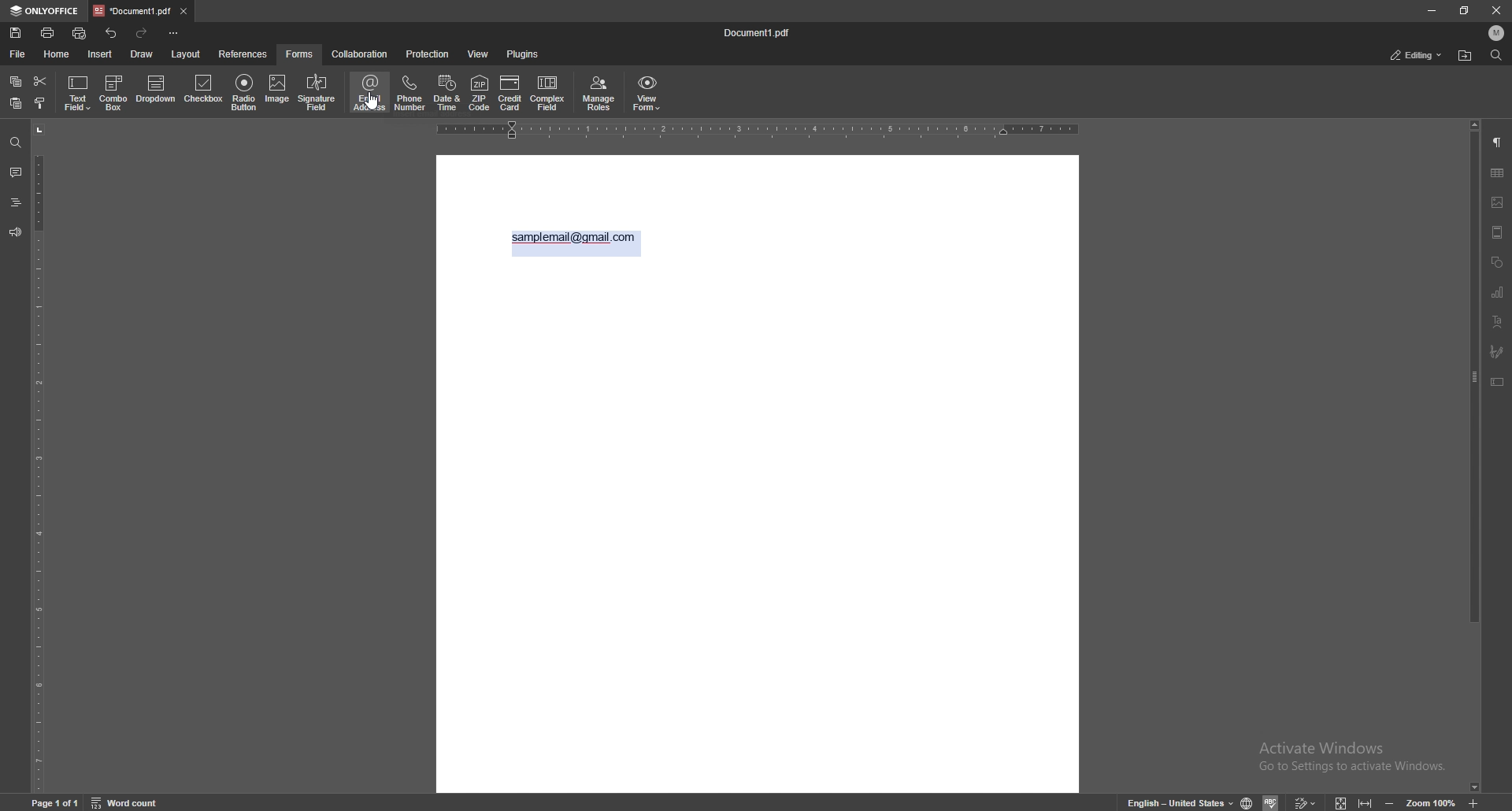  Describe the element at coordinates (1432, 10) in the screenshot. I see `minimize` at that location.